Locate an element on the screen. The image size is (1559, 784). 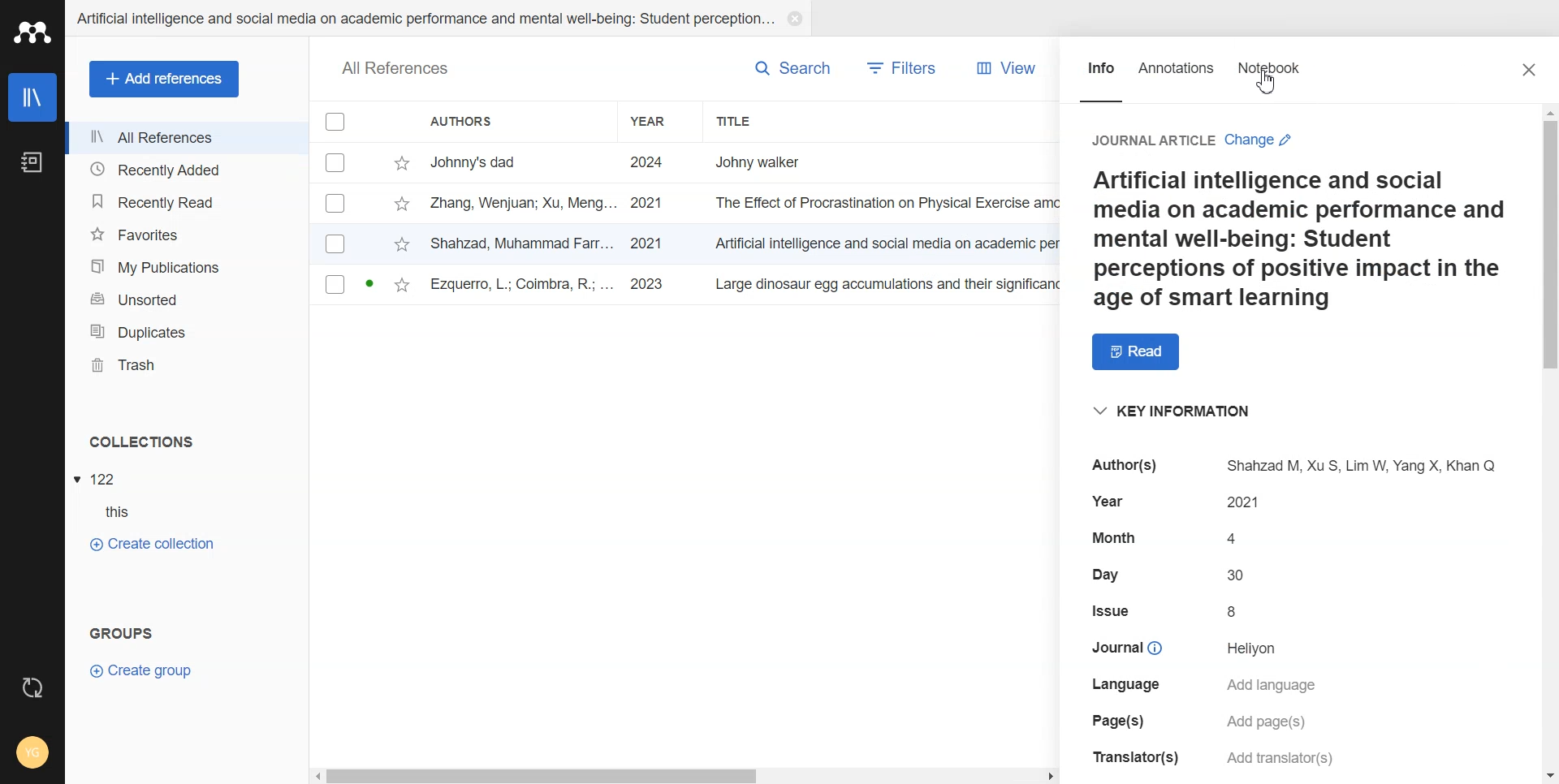
Filters is located at coordinates (903, 68).